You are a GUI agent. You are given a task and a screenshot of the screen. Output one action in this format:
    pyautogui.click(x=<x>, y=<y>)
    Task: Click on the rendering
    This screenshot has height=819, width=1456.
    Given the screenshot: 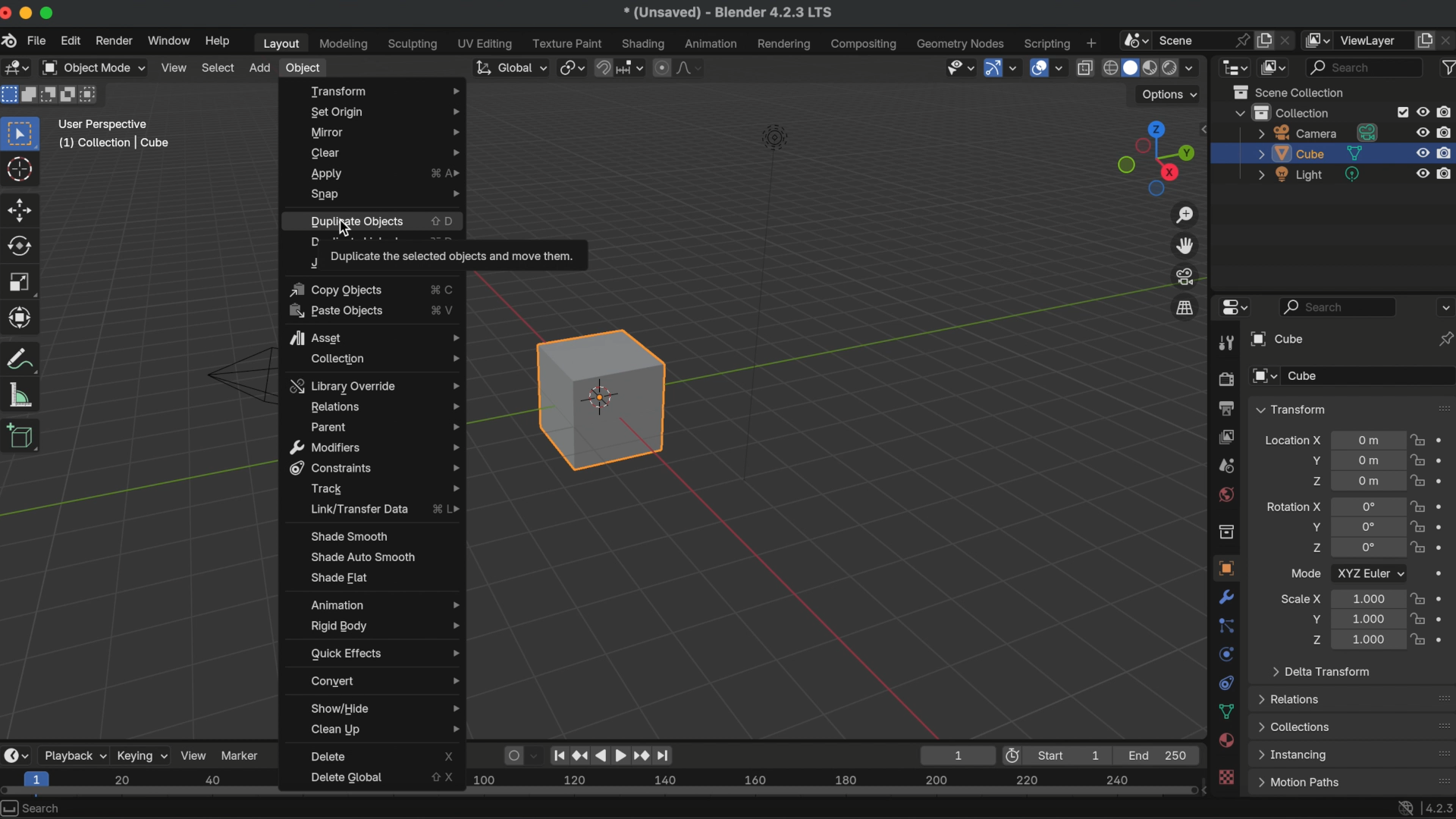 What is the action you would take?
    pyautogui.click(x=784, y=44)
    